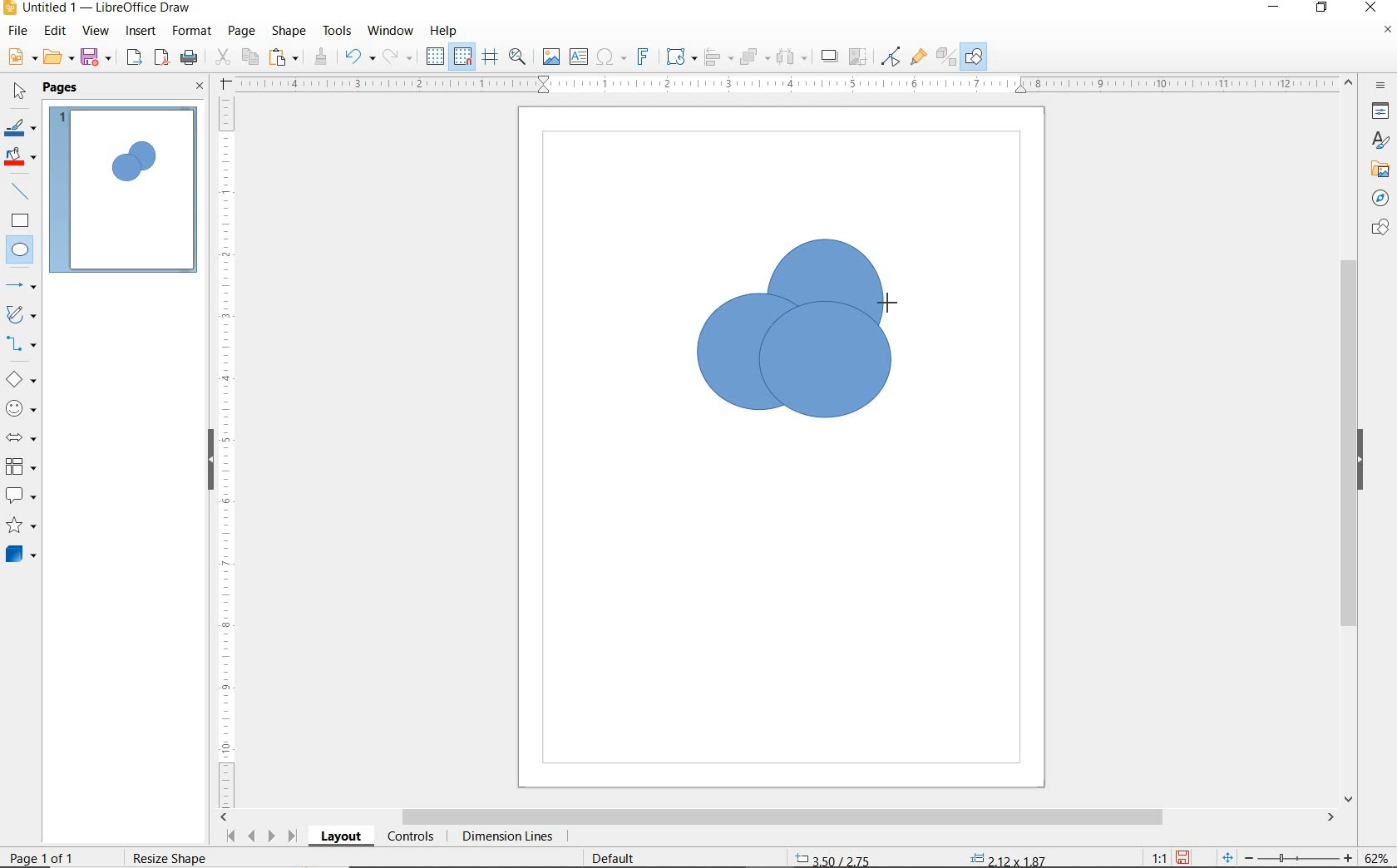  I want to click on CONTROLS, so click(412, 838).